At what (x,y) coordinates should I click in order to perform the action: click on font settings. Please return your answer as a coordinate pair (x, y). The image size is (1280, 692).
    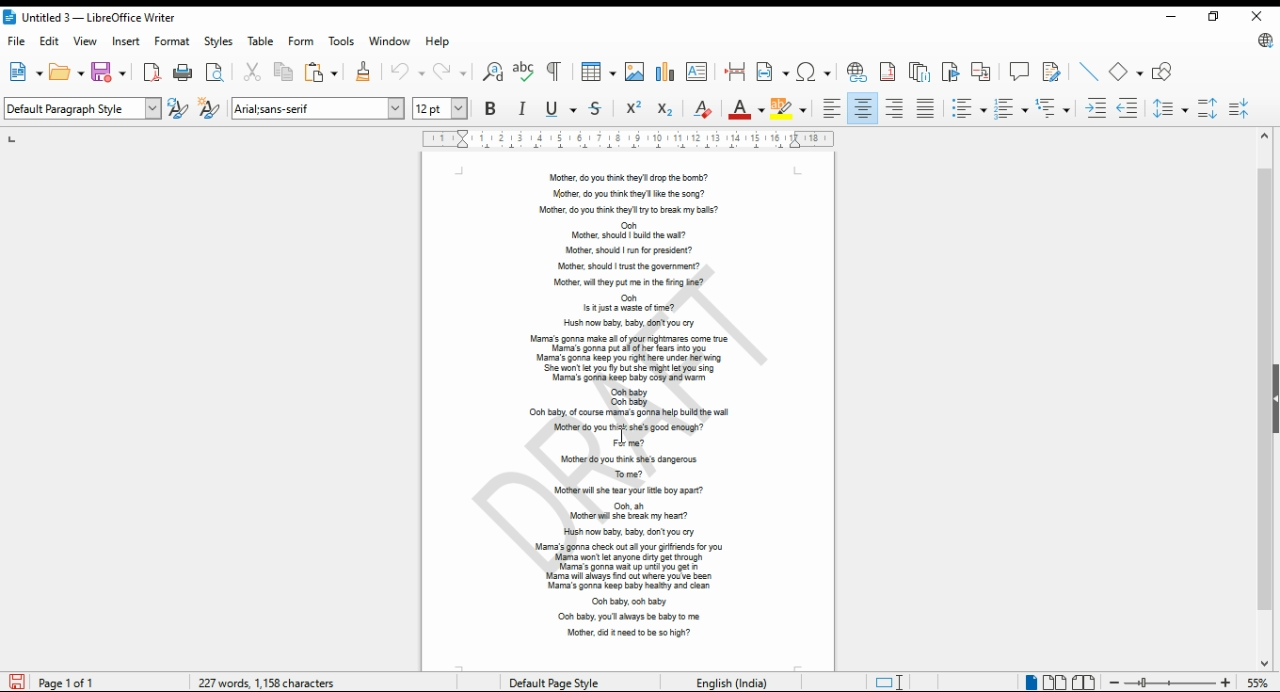
    Looking at the image, I should click on (318, 107).